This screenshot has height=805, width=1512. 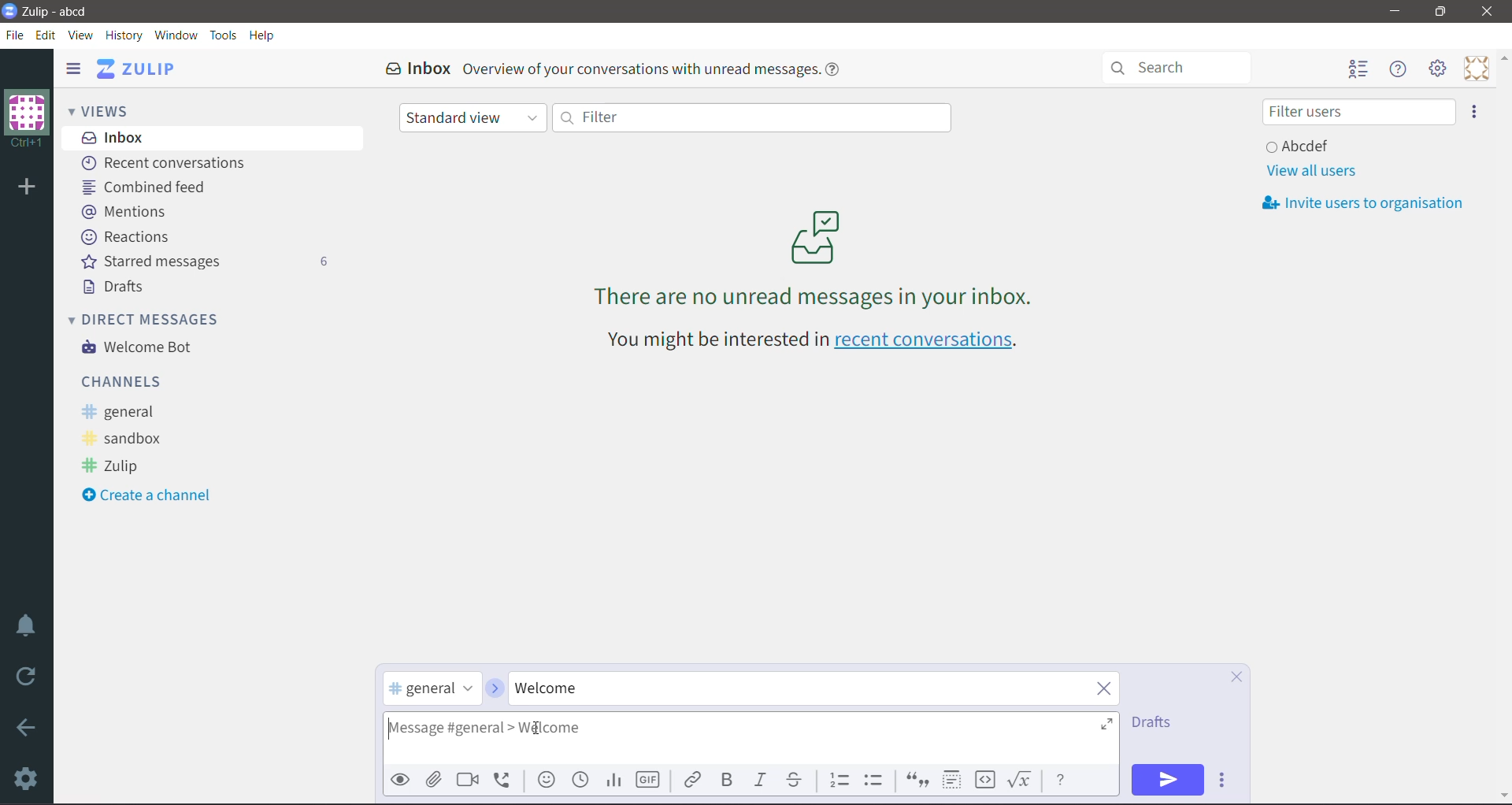 I want to click on View, so click(x=82, y=35).